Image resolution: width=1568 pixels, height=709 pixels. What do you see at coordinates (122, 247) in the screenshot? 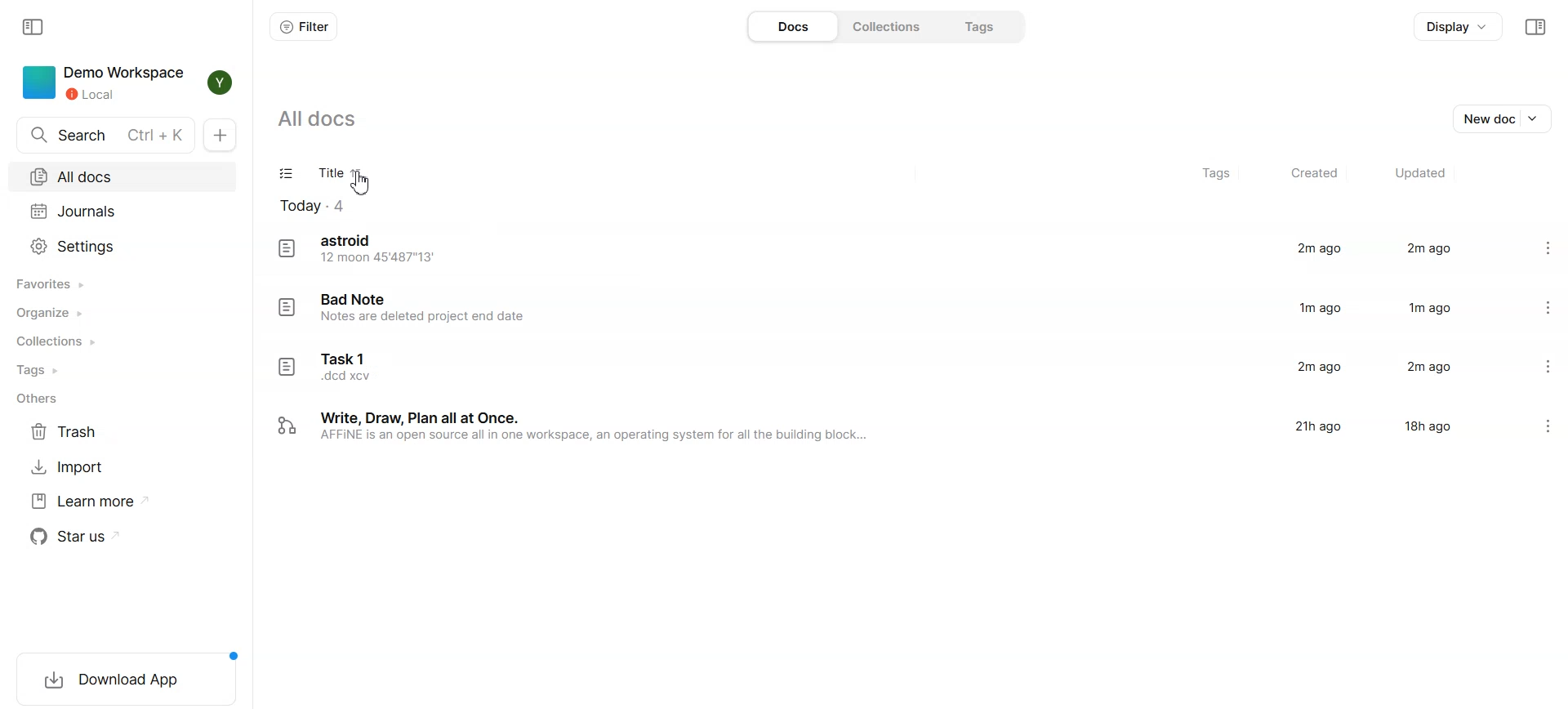
I see `Settings` at bounding box center [122, 247].